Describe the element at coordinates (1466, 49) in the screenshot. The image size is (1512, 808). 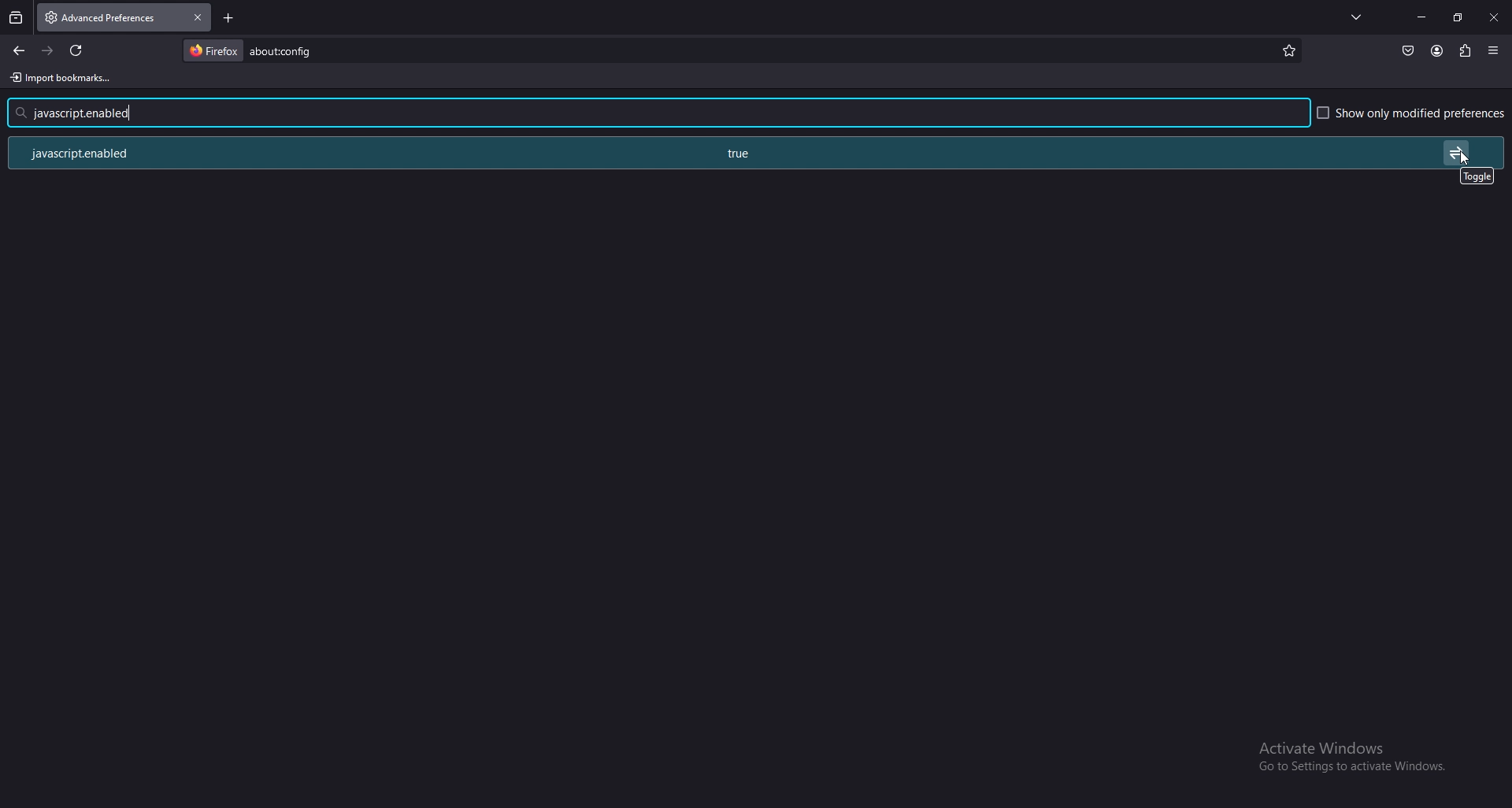
I see `extensions` at that location.